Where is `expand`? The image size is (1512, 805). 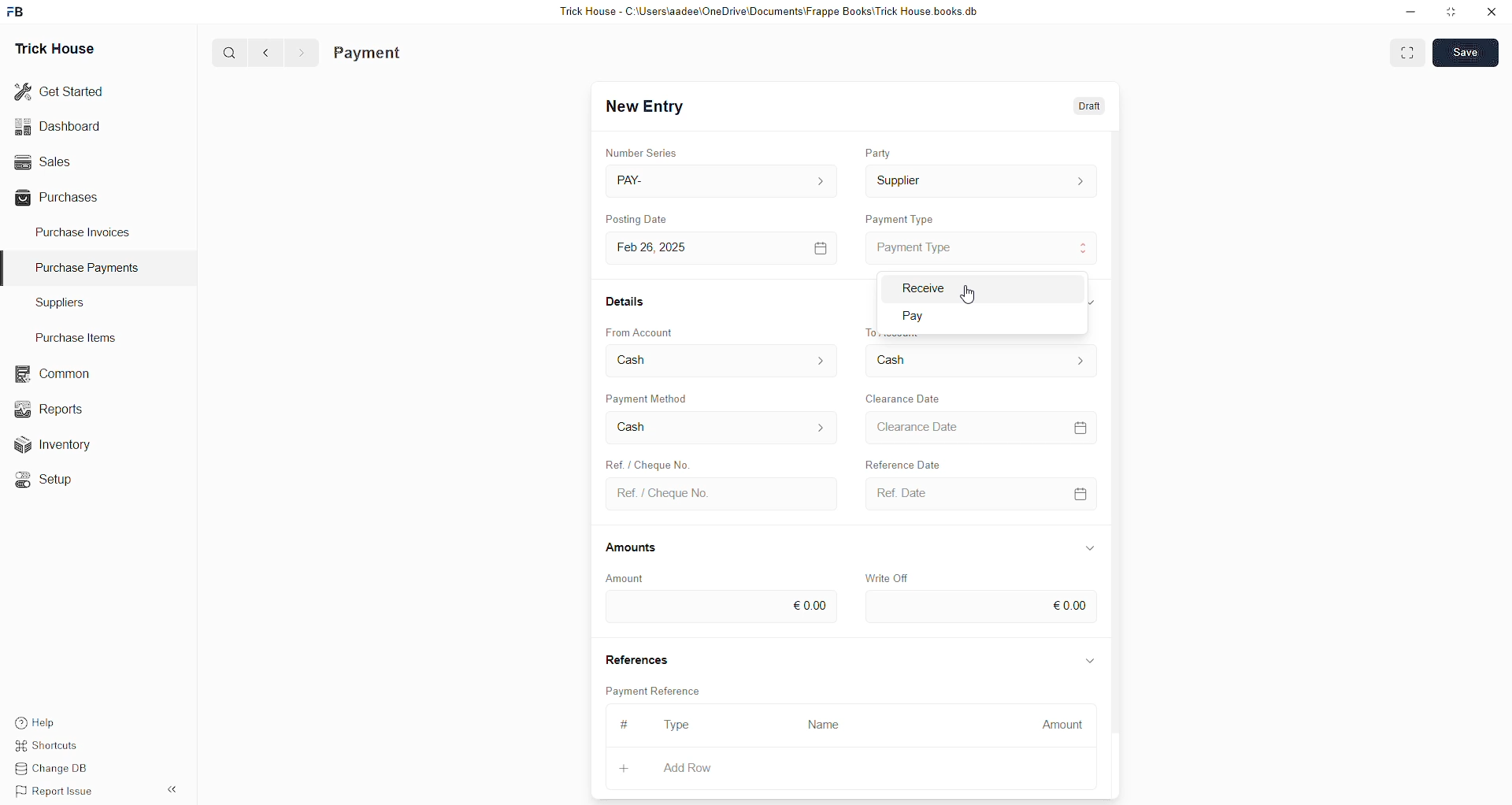
expand is located at coordinates (1089, 658).